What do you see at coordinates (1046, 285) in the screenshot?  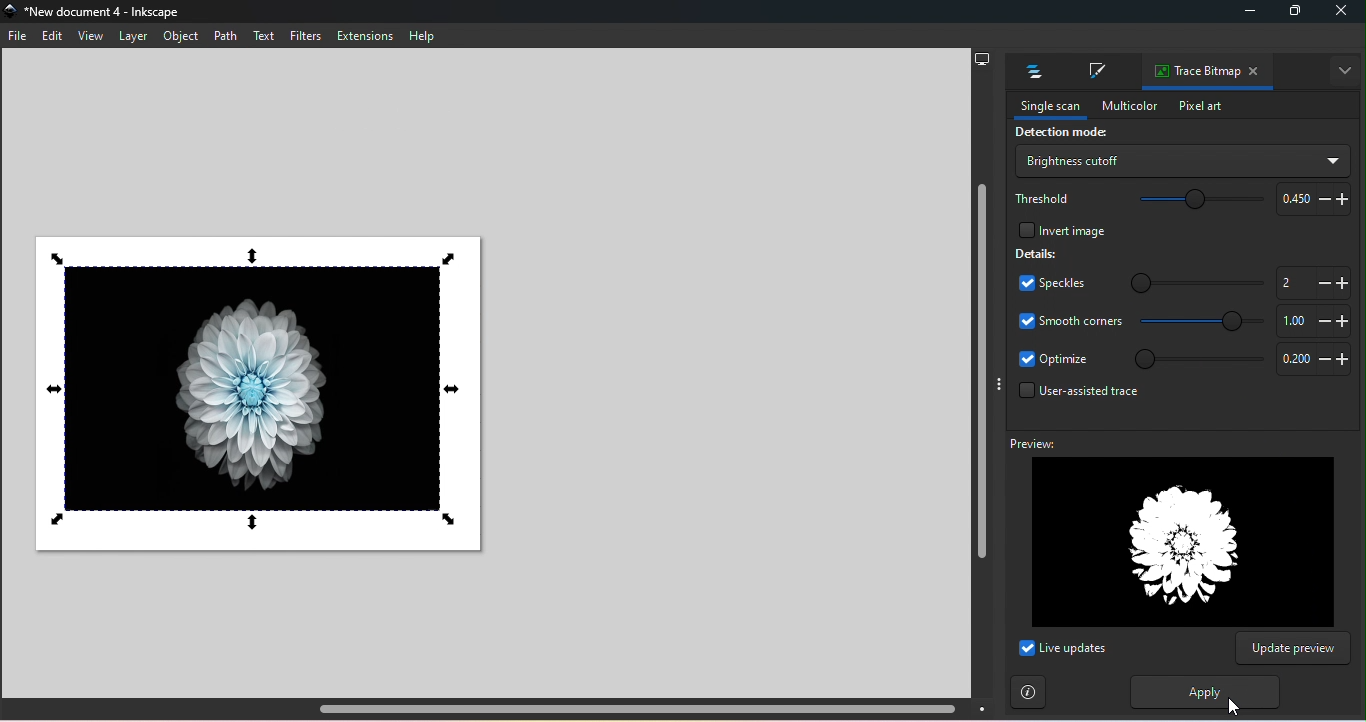 I see `Speckles` at bounding box center [1046, 285].